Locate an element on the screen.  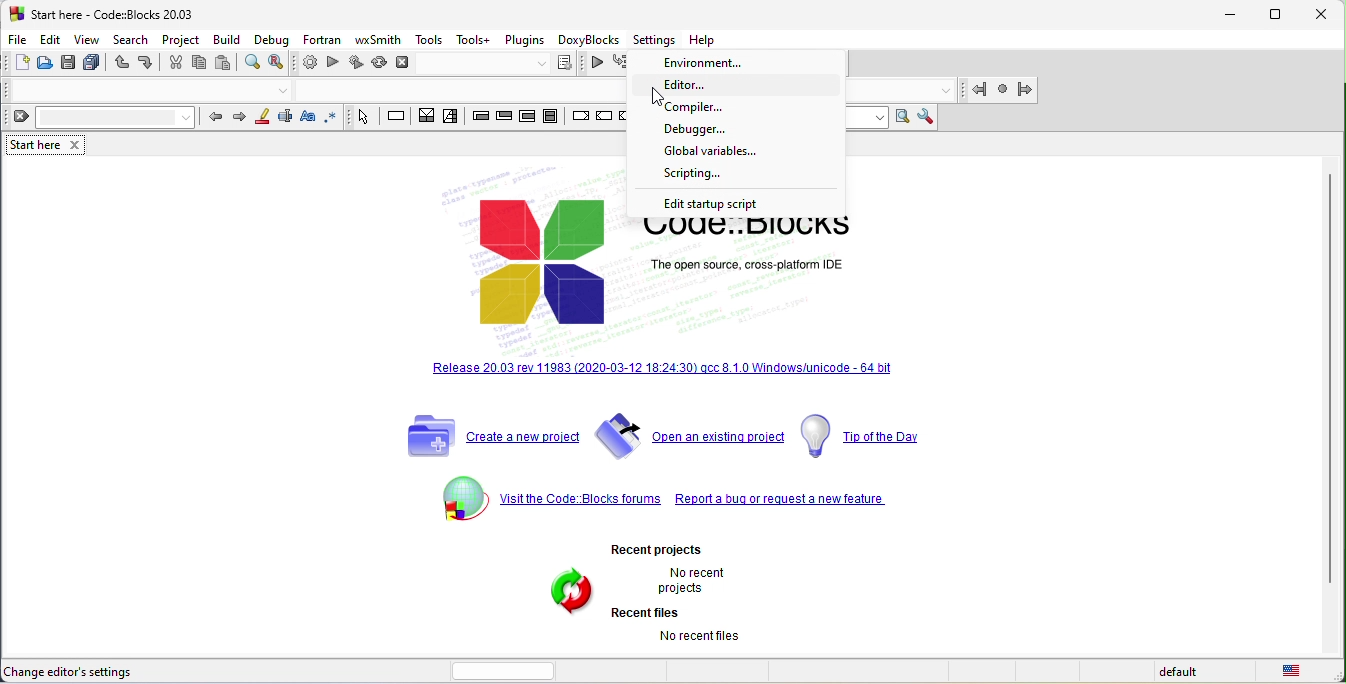
next is located at coordinates (243, 119).